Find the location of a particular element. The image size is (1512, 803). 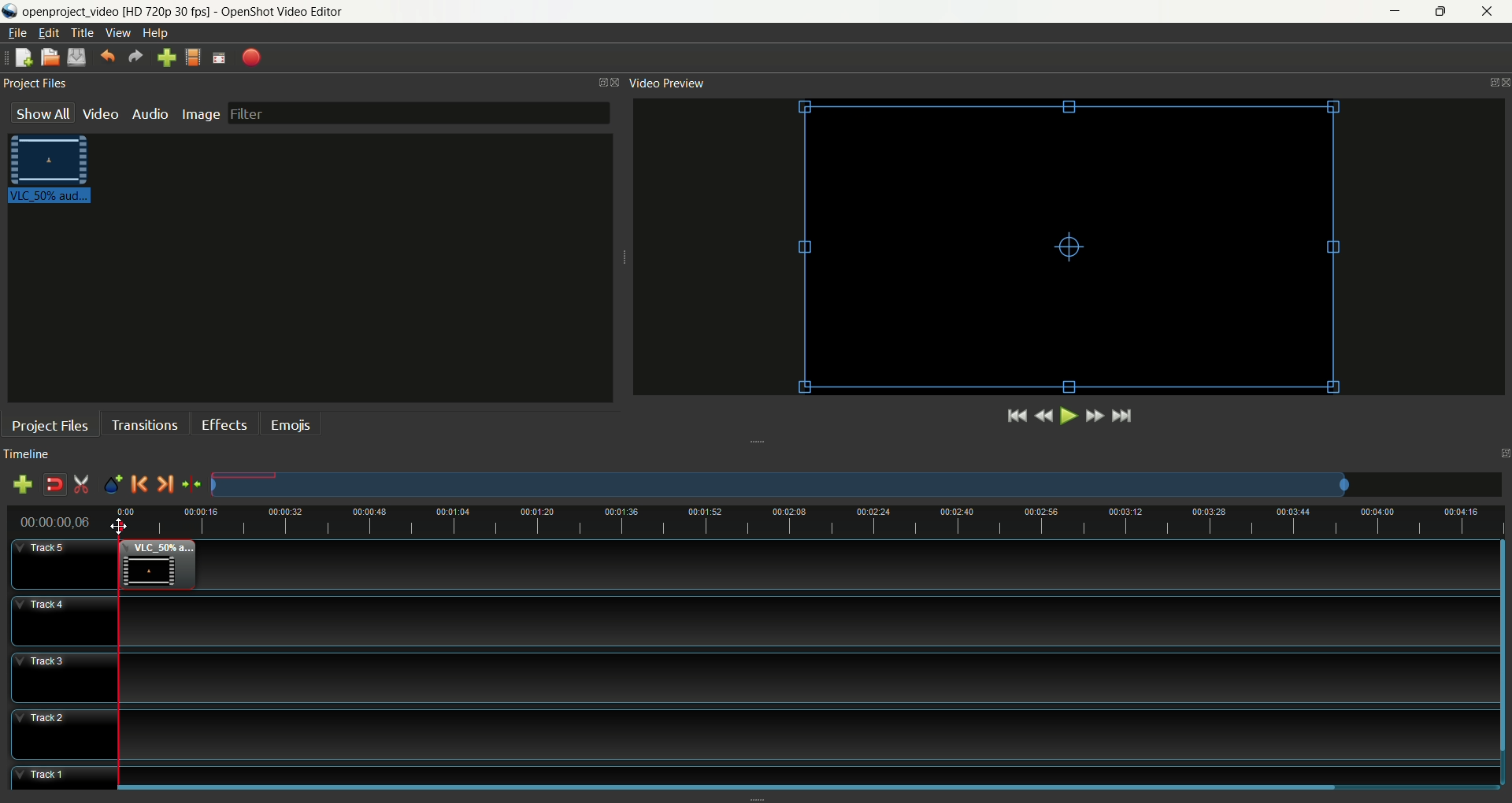

edit is located at coordinates (46, 33).